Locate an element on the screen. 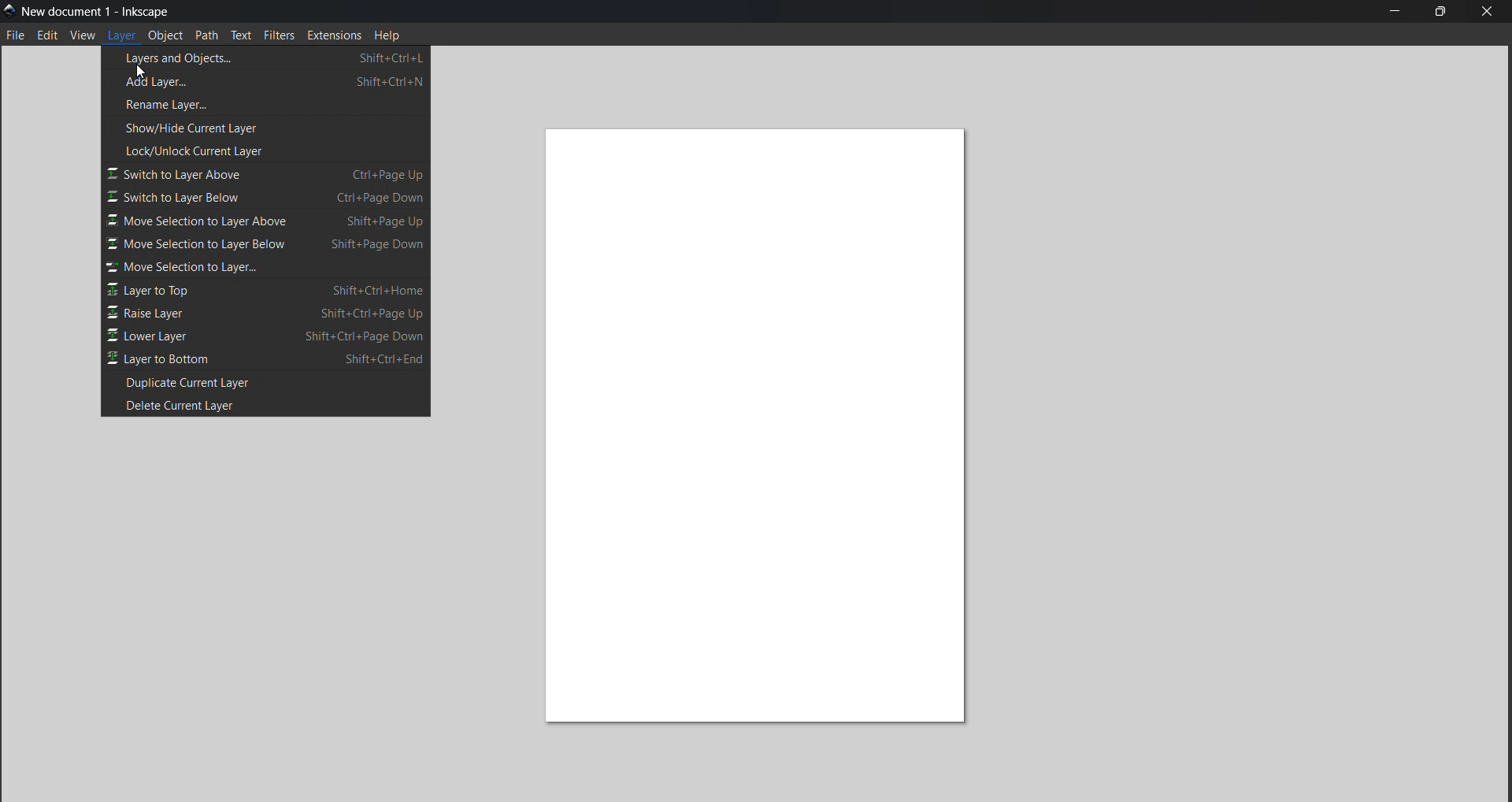 The image size is (1512, 802). locl/unlock current layer is located at coordinates (198, 150).